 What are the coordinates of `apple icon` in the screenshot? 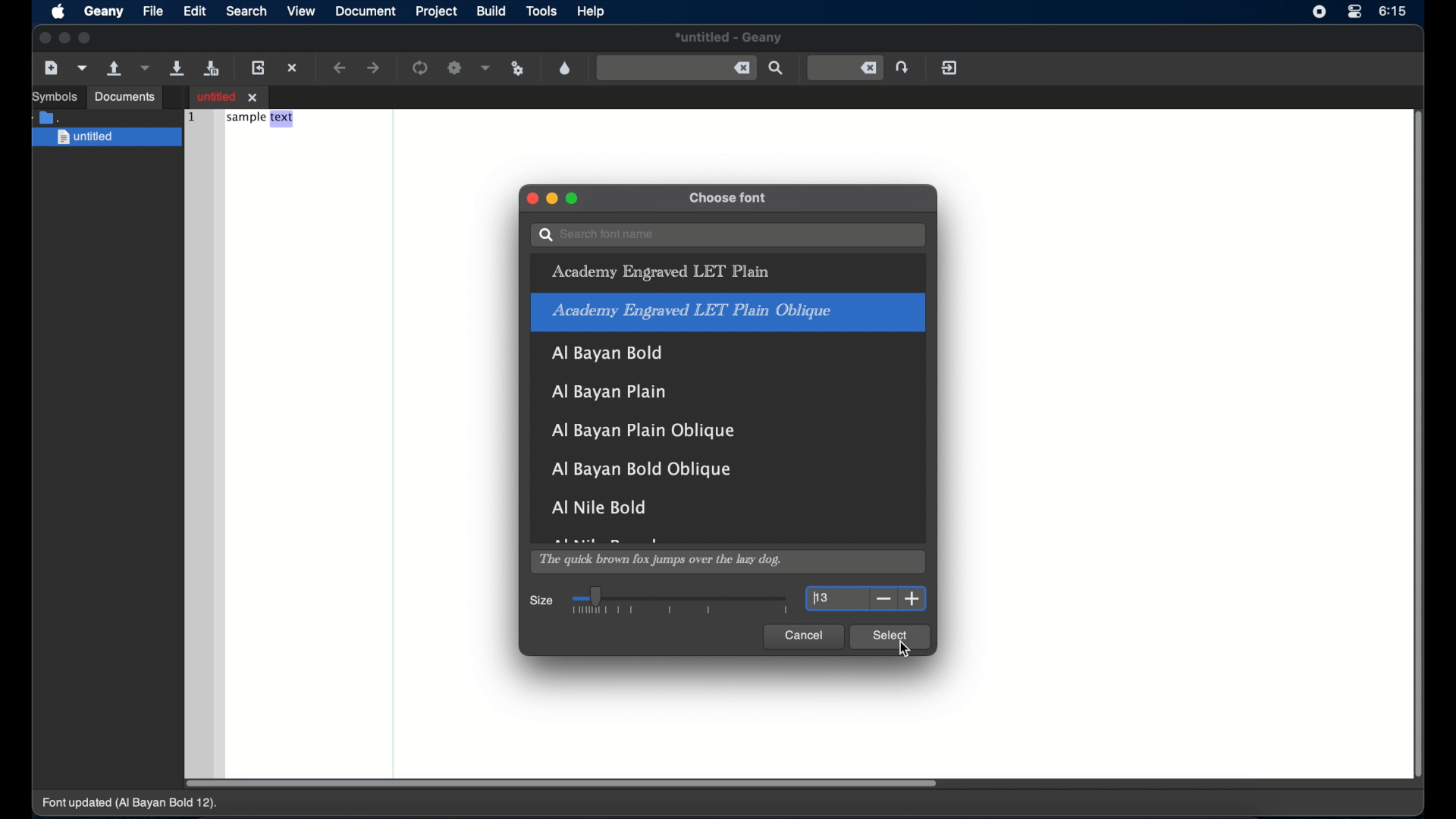 It's located at (58, 13).